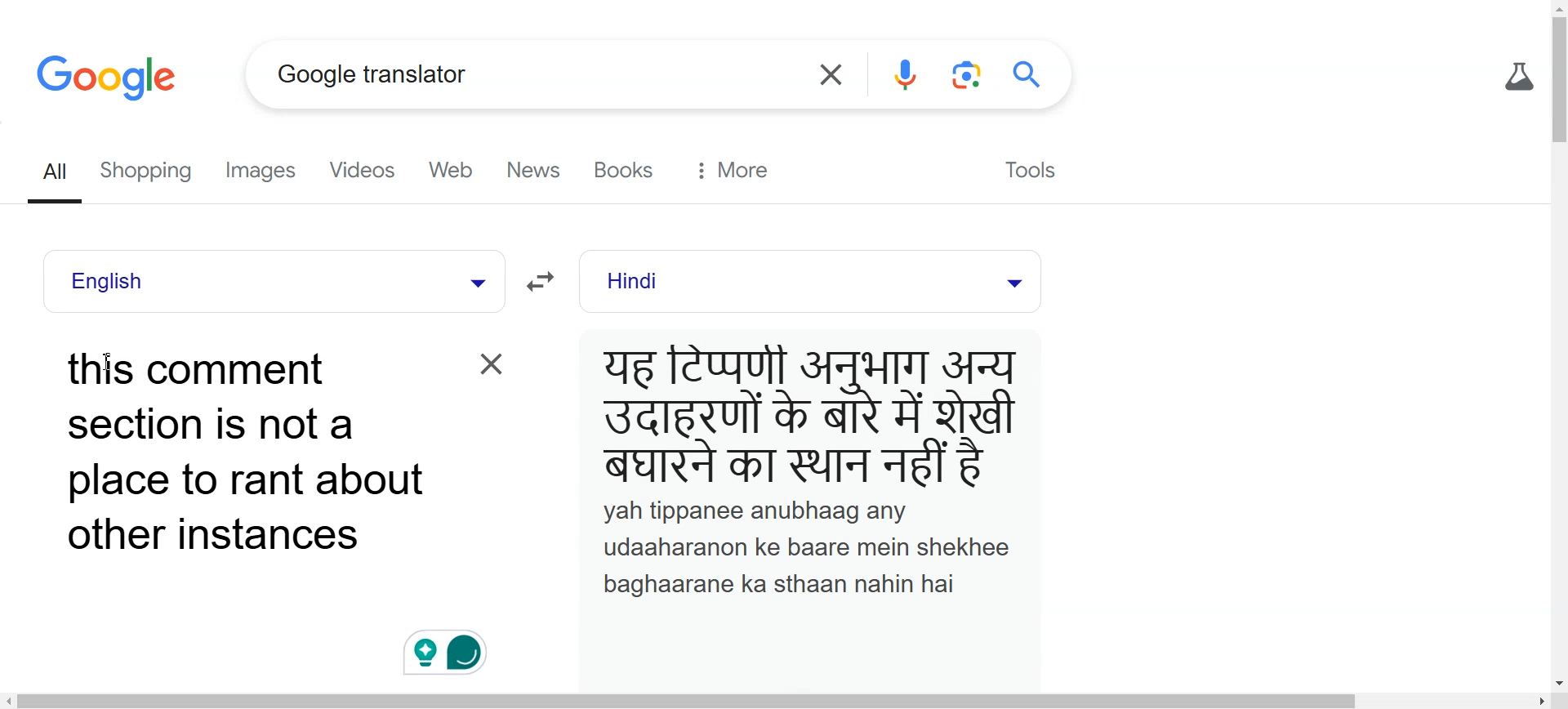 The width and height of the screenshot is (1568, 709). Describe the element at coordinates (828, 75) in the screenshot. I see `Erase` at that location.